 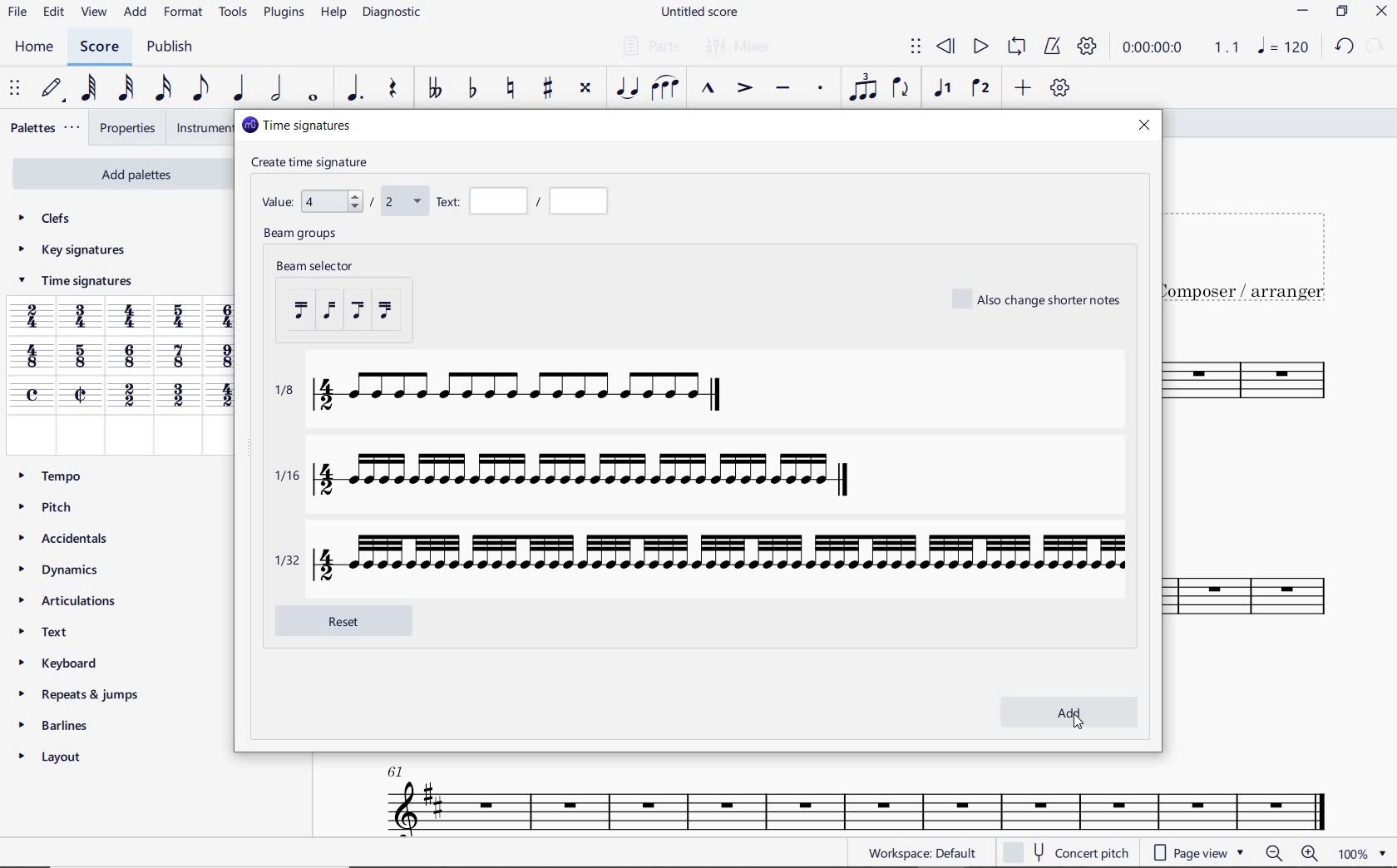 I want to click on REDO, so click(x=1376, y=45).